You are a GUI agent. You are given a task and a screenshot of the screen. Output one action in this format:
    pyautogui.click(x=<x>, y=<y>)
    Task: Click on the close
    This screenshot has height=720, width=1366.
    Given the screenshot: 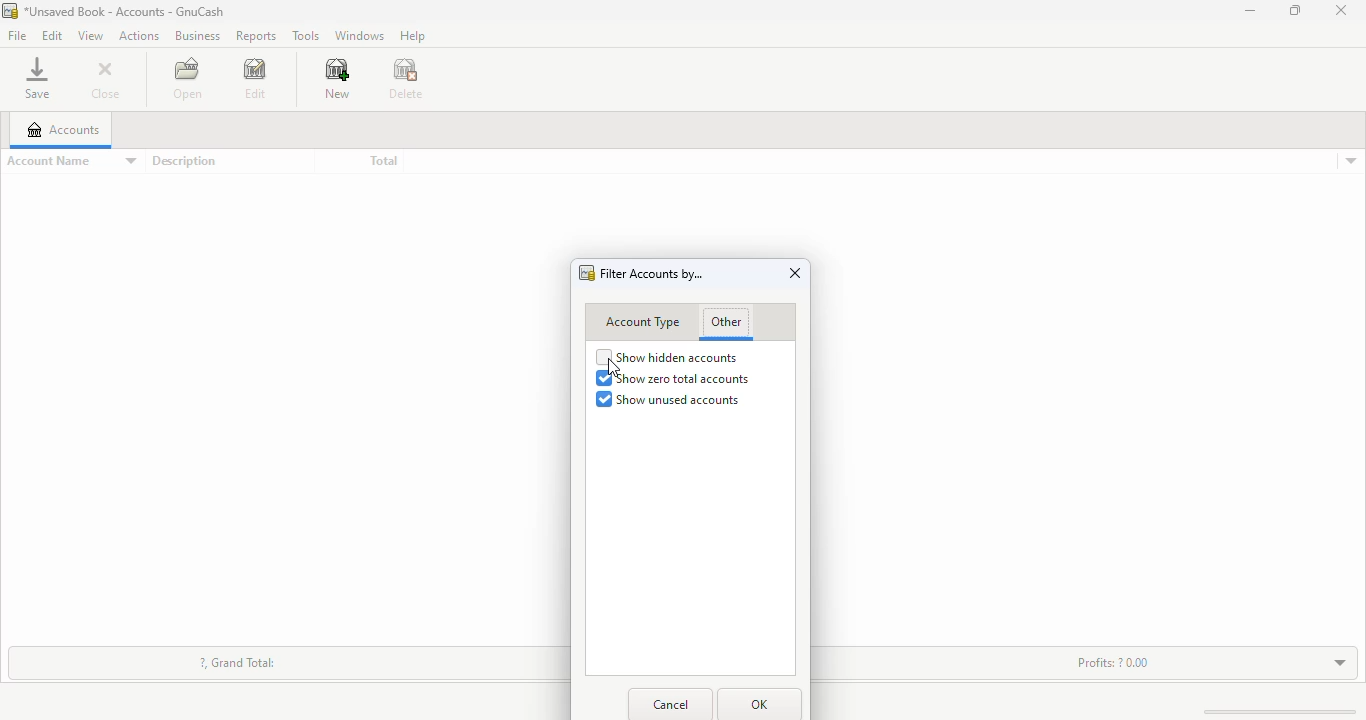 What is the action you would take?
    pyautogui.click(x=106, y=82)
    